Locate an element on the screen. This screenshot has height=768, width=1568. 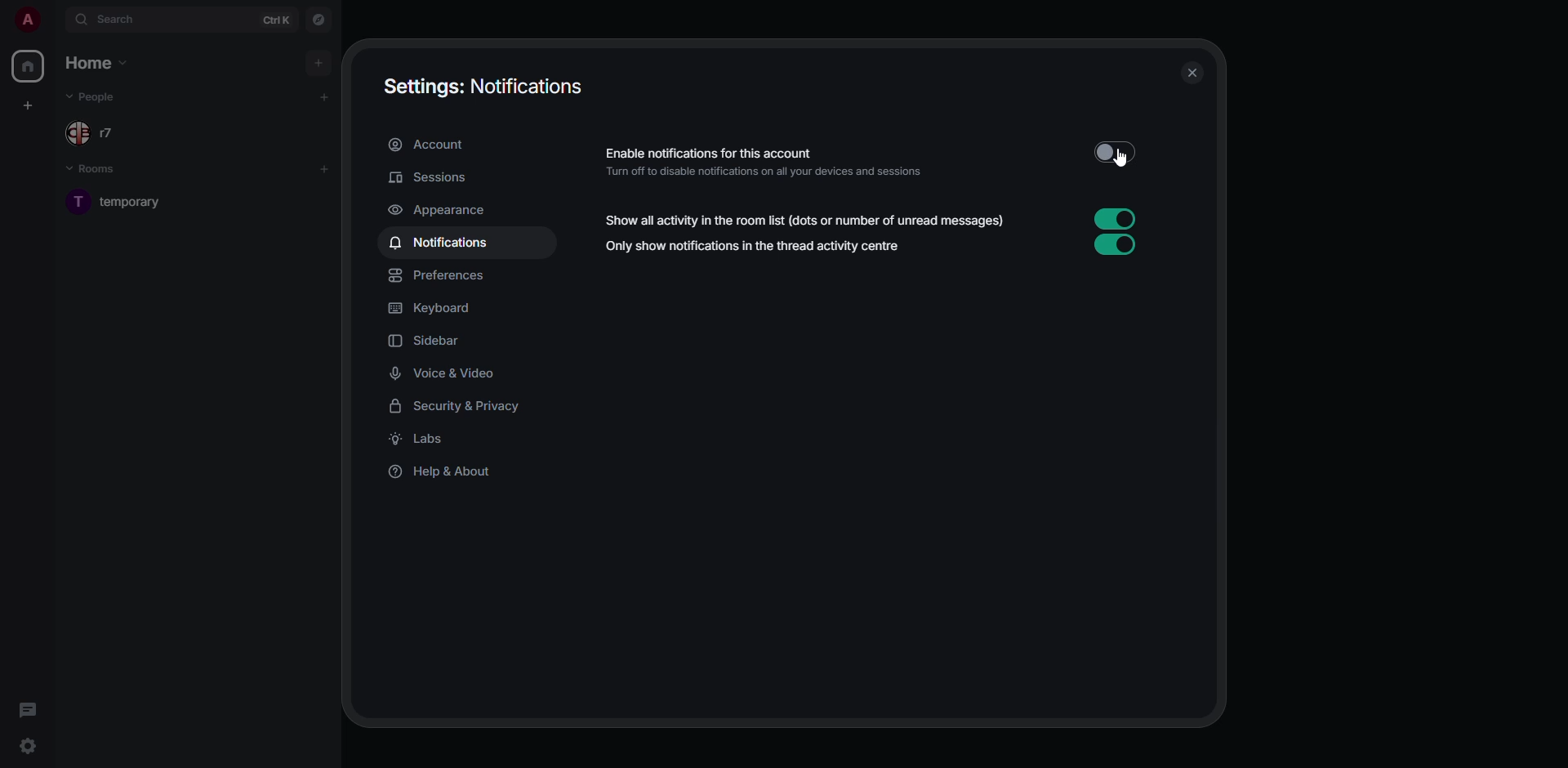
sidebar is located at coordinates (427, 341).